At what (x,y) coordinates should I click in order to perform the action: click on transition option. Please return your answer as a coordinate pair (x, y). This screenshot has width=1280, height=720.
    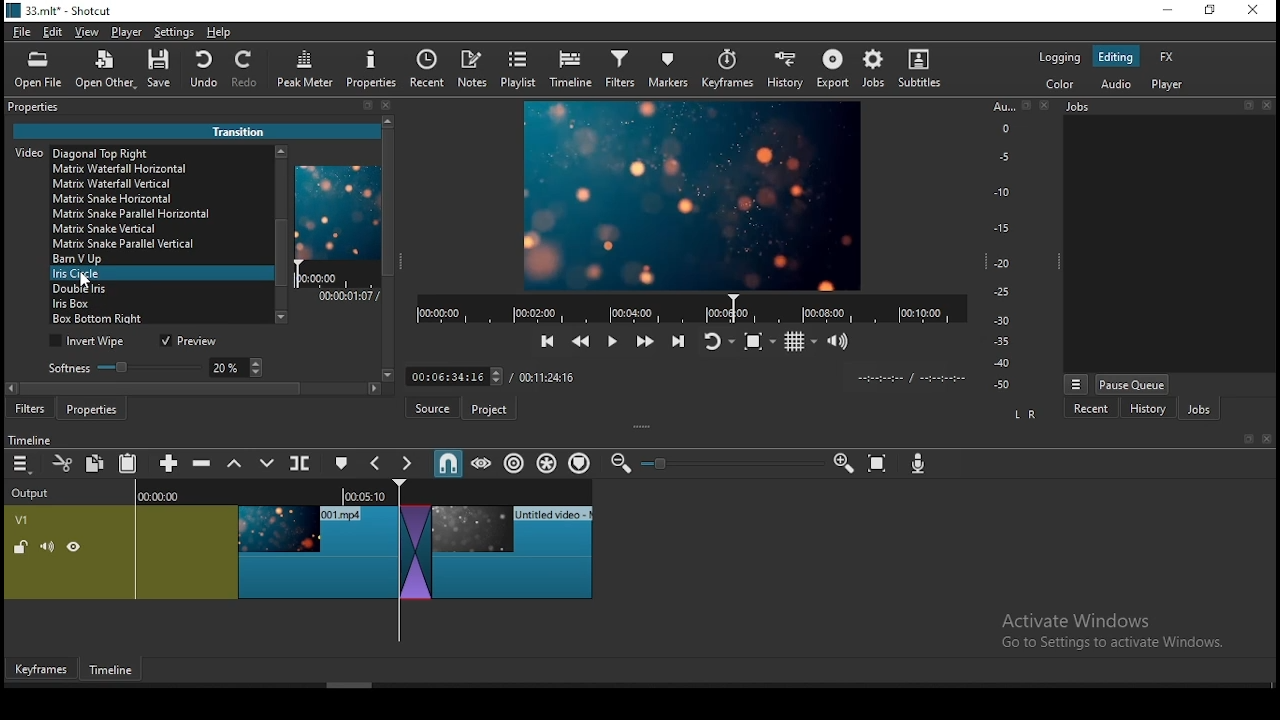
    Looking at the image, I should click on (158, 198).